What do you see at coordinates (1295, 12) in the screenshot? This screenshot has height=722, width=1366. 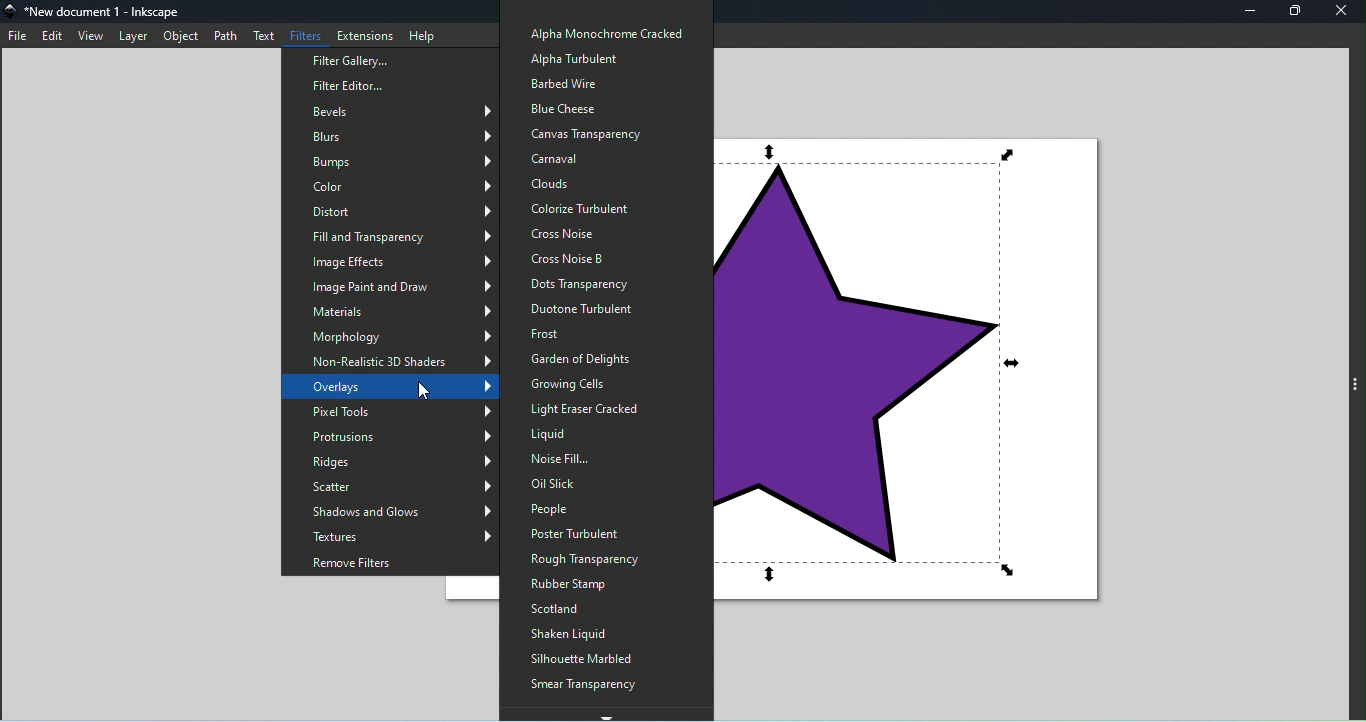 I see `maximize` at bounding box center [1295, 12].